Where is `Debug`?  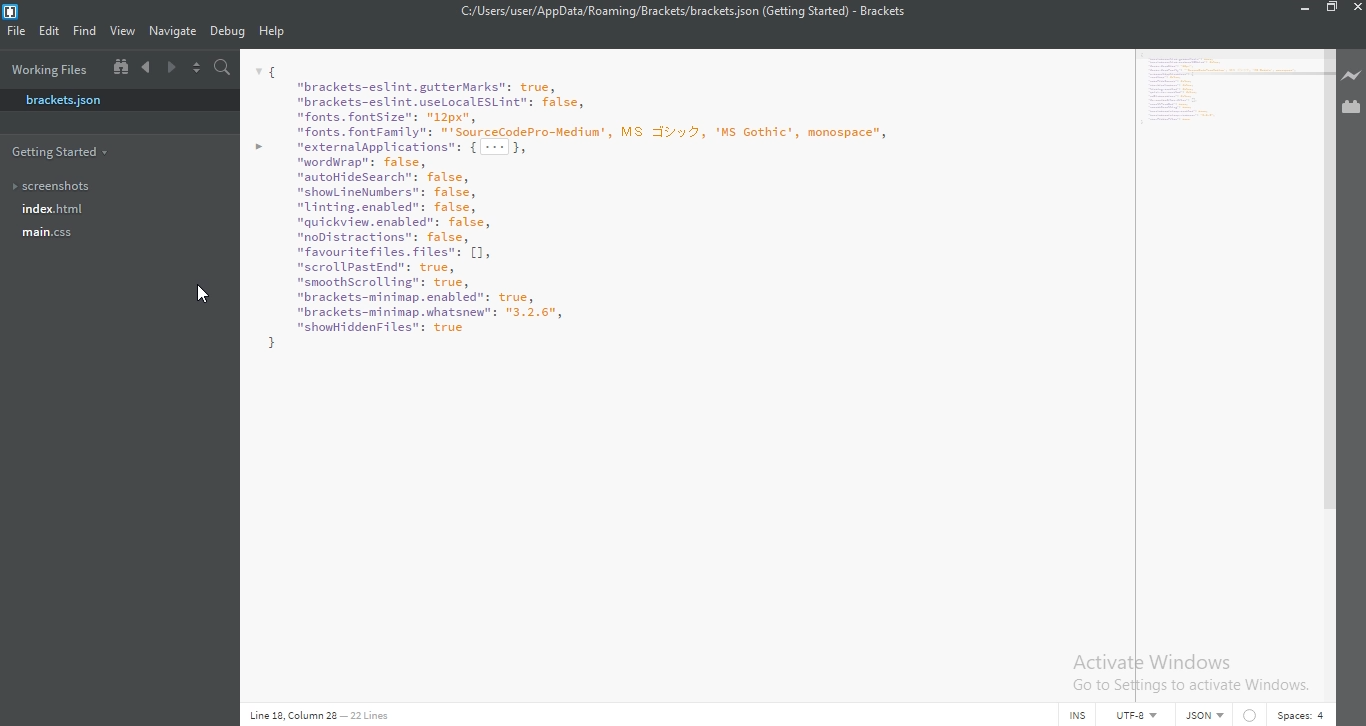 Debug is located at coordinates (227, 33).